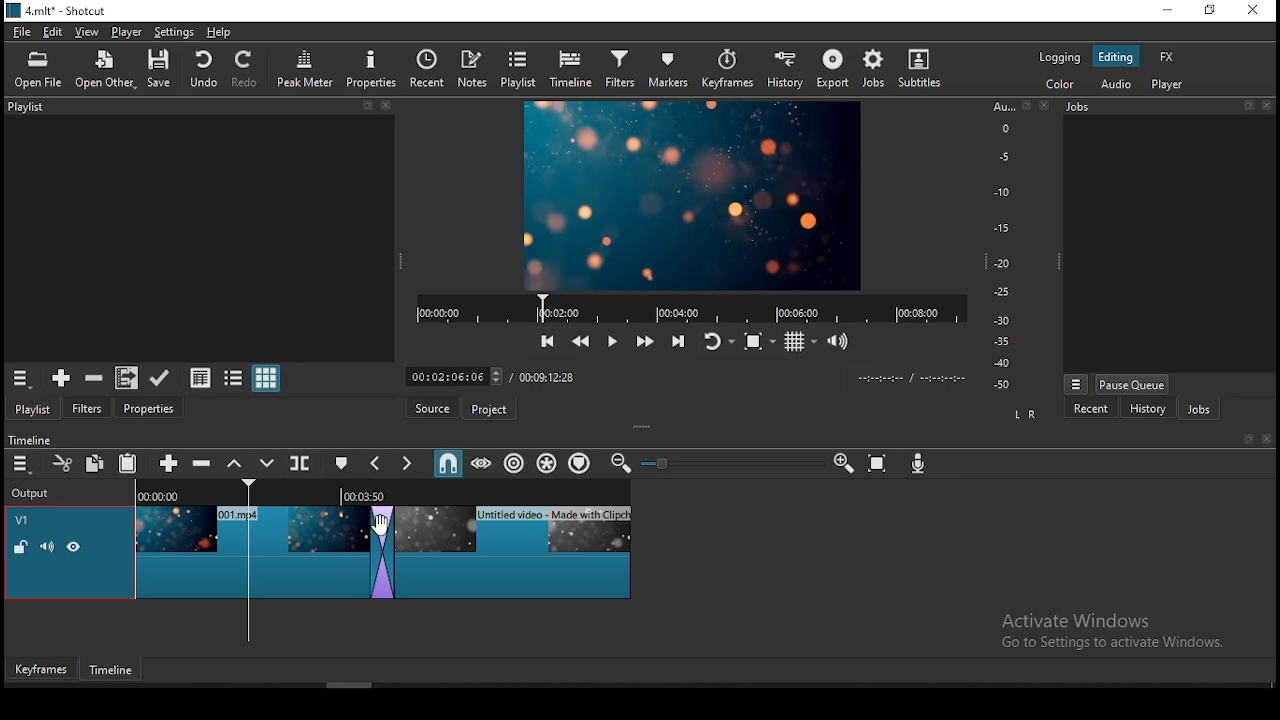  I want to click on timeline settings, so click(20, 465).